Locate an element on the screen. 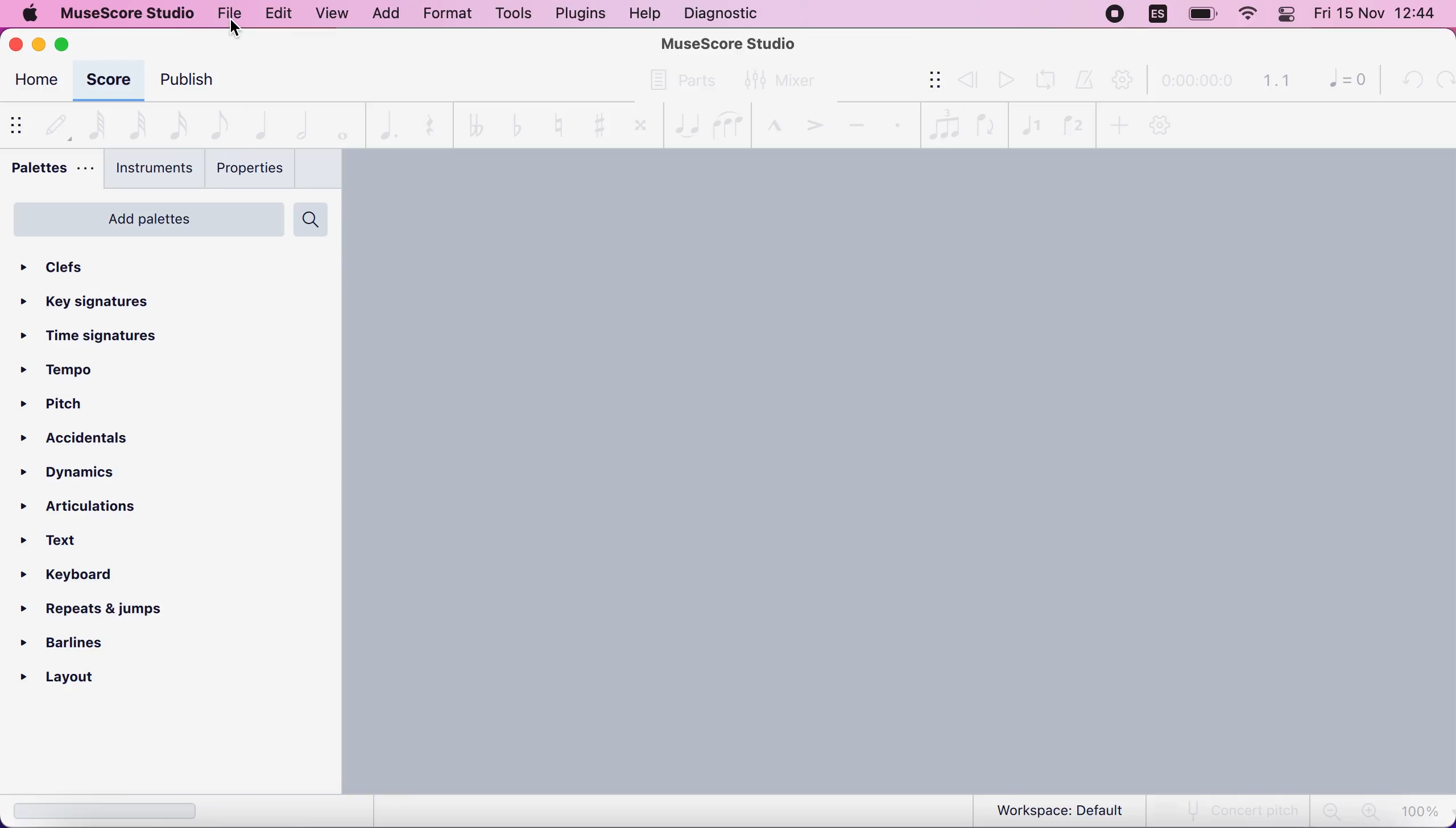 This screenshot has width=1456, height=828. whole note is located at coordinates (338, 124).